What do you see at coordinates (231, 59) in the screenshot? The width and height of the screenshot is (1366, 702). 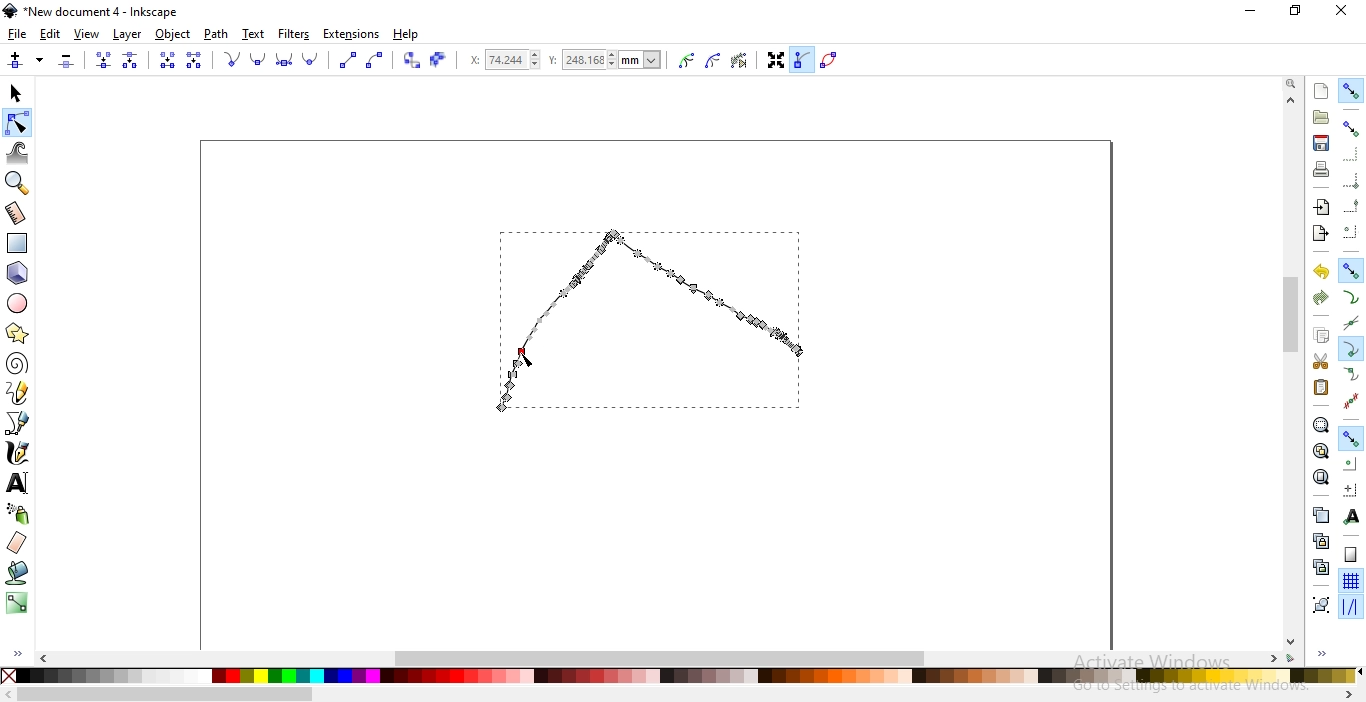 I see `make selected nodes corner` at bounding box center [231, 59].